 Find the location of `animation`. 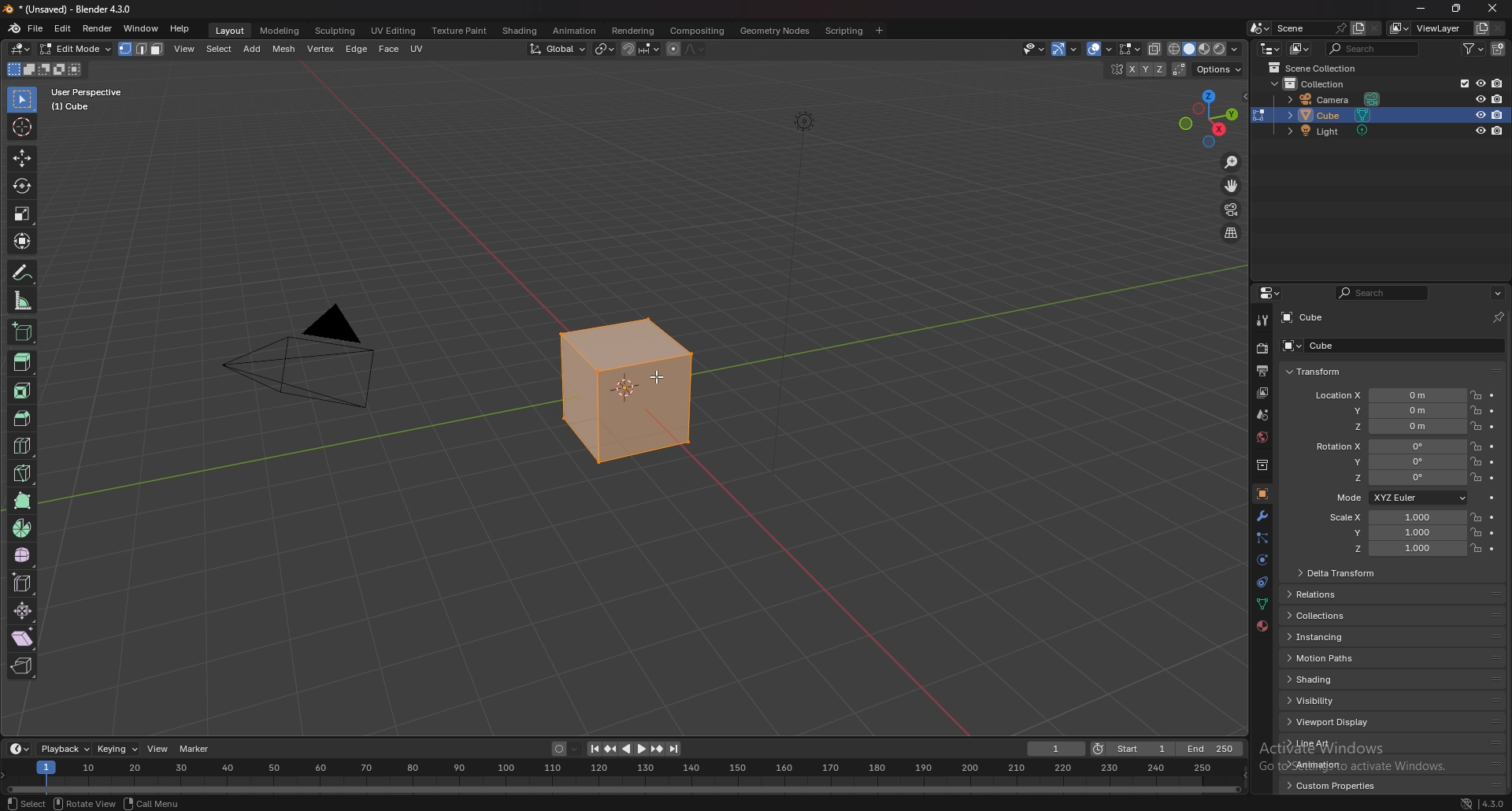

animation is located at coordinates (1323, 765).